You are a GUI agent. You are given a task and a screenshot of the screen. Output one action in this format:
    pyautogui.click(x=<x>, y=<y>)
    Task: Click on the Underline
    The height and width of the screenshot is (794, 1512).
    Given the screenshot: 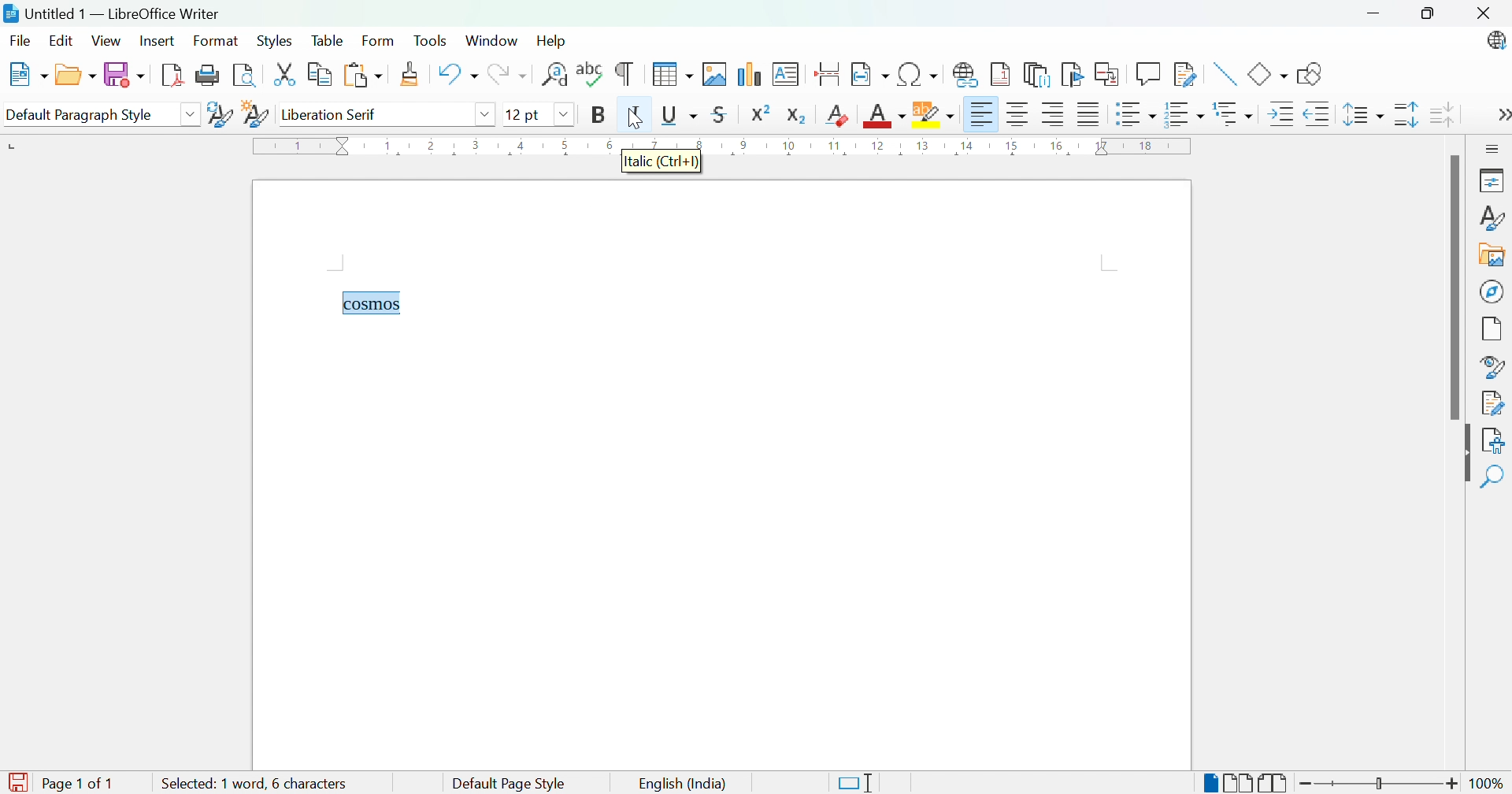 What is the action you would take?
    pyautogui.click(x=680, y=115)
    